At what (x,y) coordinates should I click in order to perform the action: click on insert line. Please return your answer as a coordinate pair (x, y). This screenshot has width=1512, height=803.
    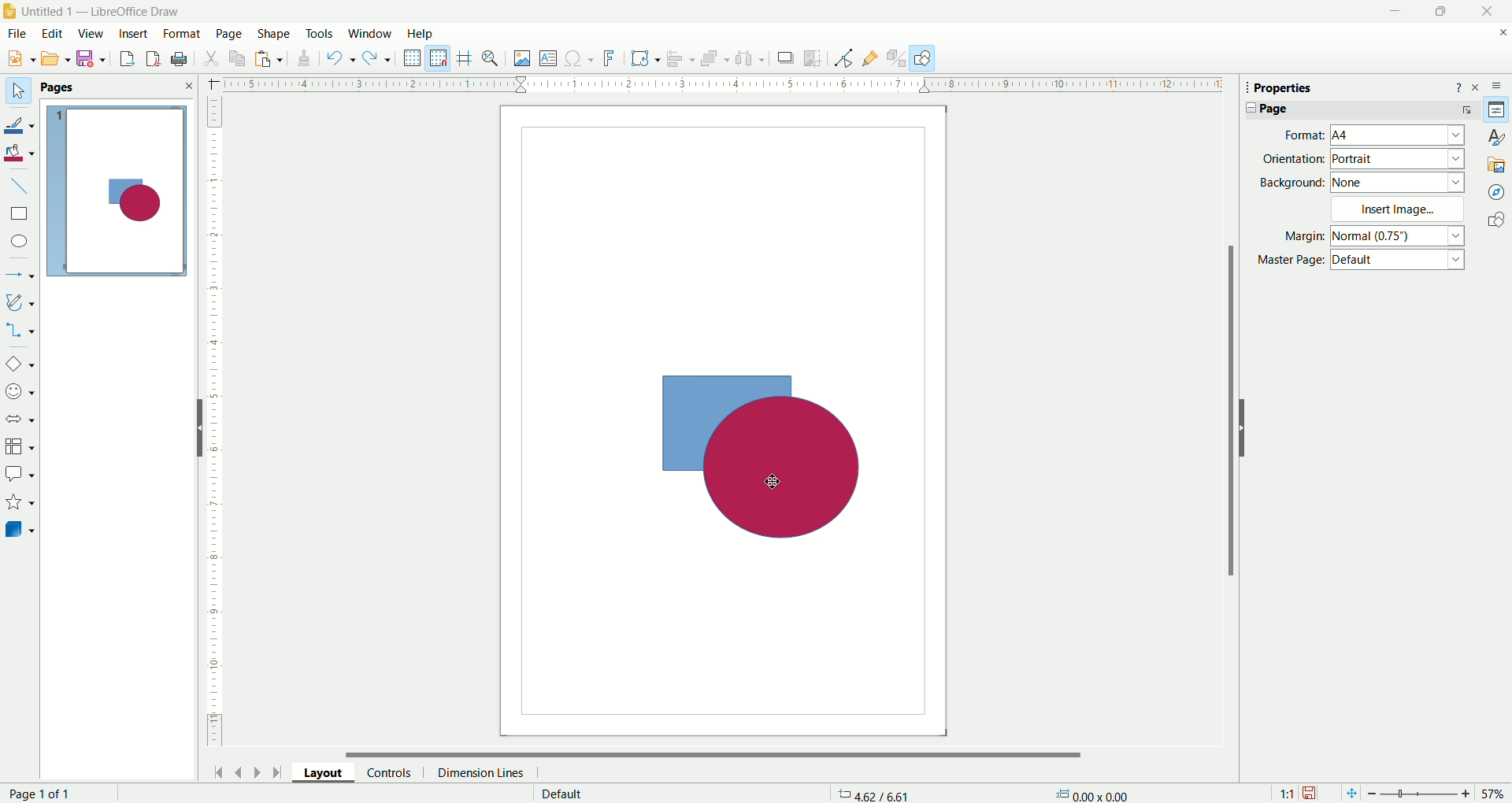
    Looking at the image, I should click on (25, 186).